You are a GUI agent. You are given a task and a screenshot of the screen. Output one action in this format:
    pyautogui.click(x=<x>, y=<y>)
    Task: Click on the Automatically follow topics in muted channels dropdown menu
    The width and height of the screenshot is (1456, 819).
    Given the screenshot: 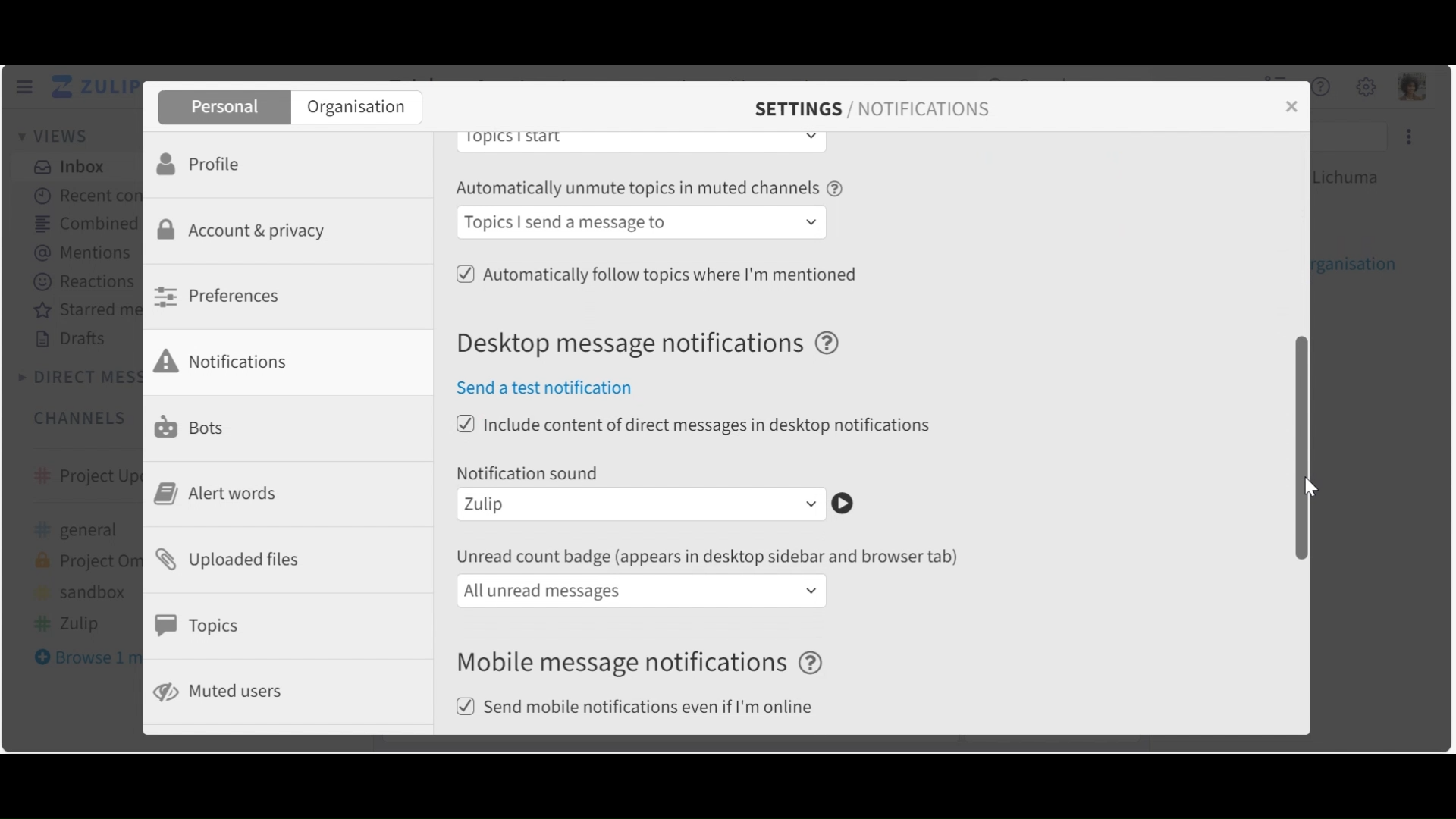 What is the action you would take?
    pyautogui.click(x=644, y=224)
    